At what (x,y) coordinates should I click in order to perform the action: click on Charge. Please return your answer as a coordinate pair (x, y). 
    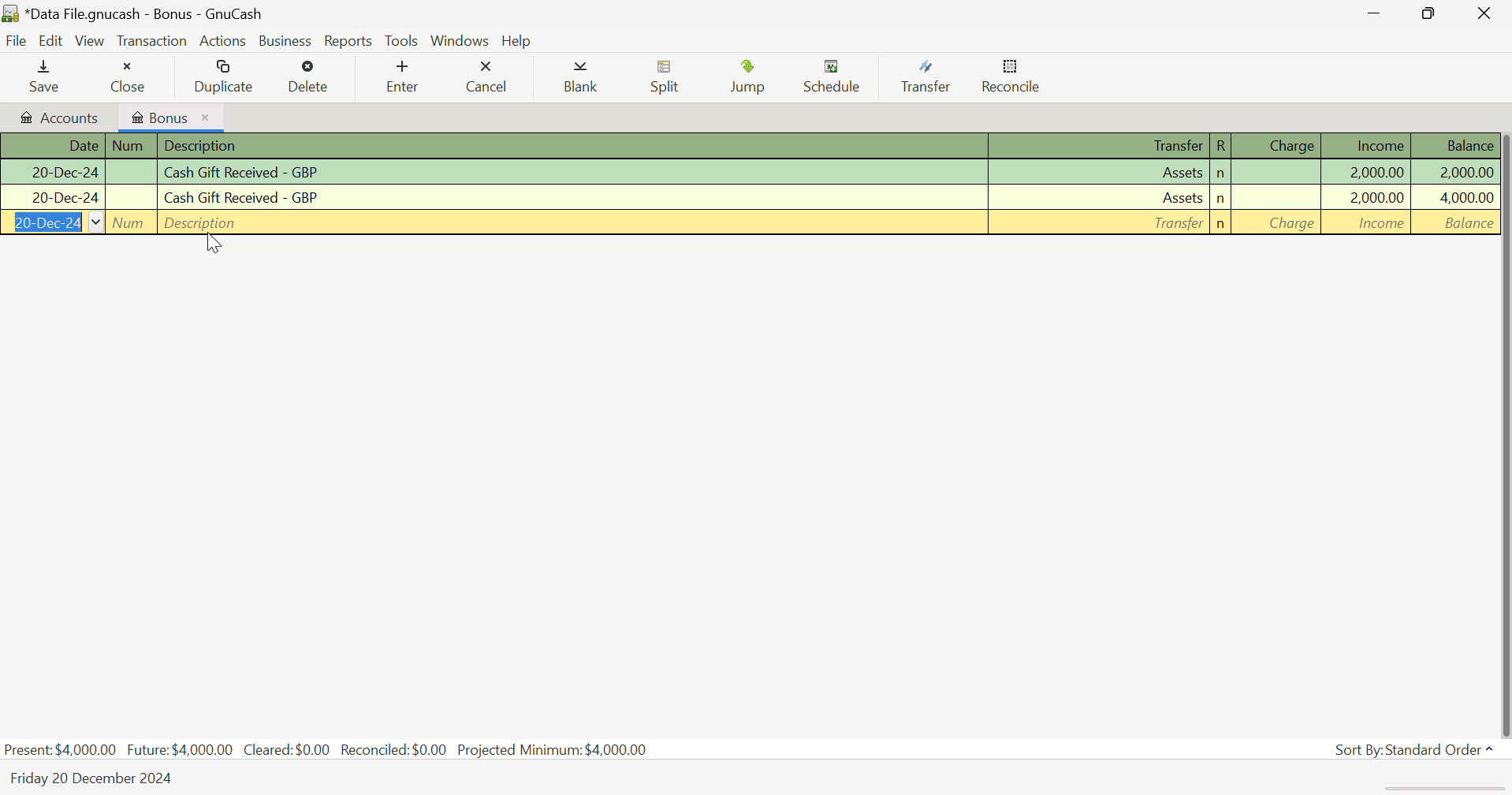
    Looking at the image, I should click on (1279, 198).